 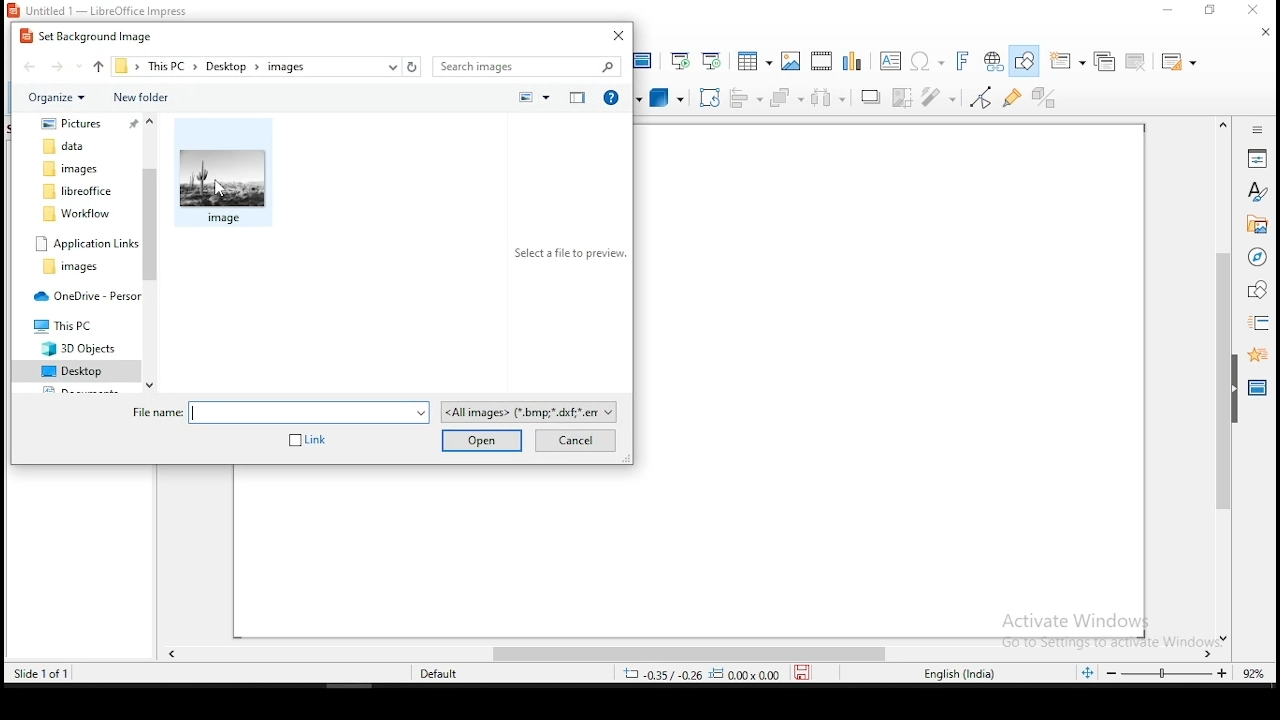 I want to click on delete slide, so click(x=1136, y=61).